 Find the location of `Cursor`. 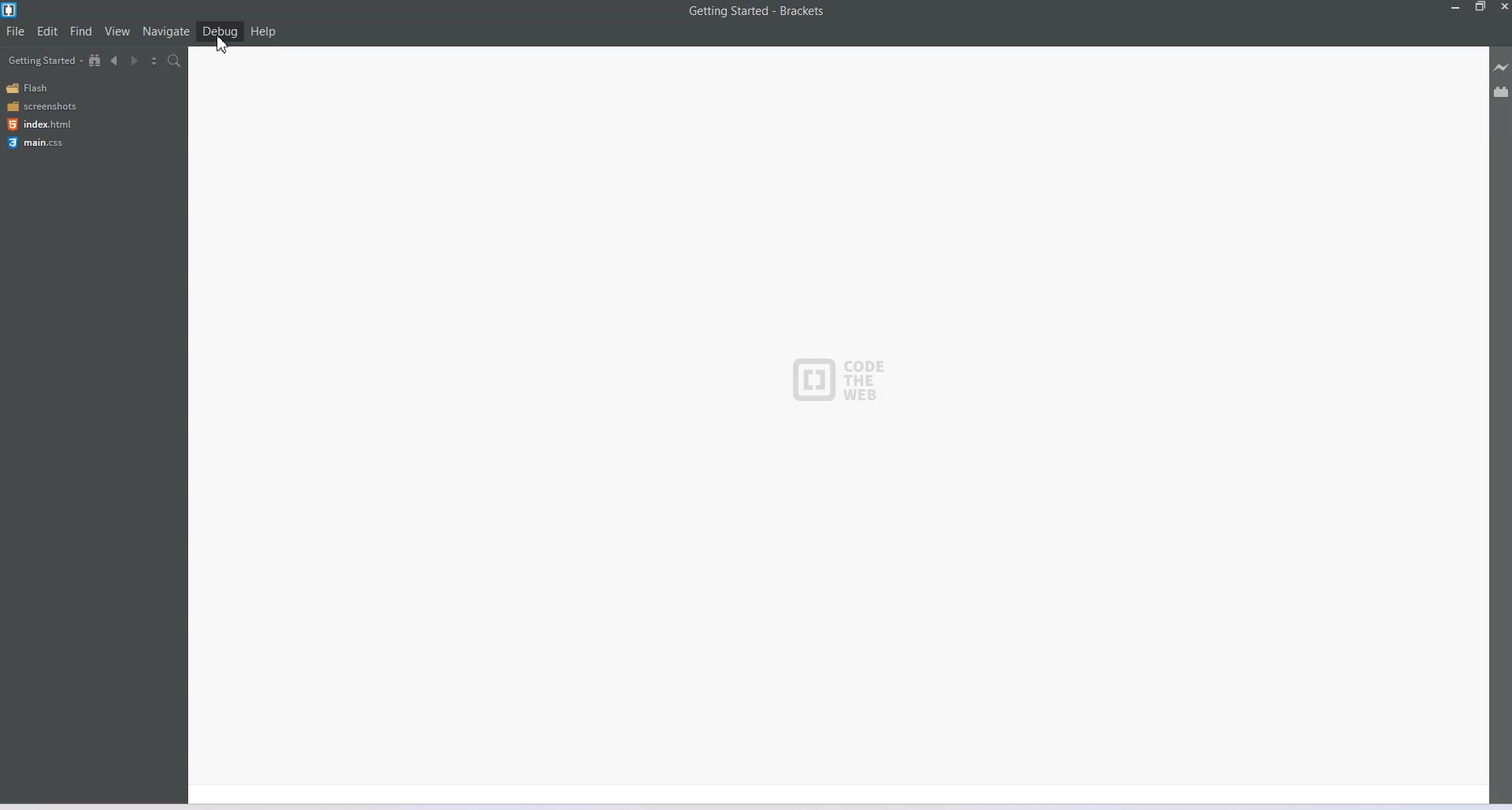

Cursor is located at coordinates (226, 50).